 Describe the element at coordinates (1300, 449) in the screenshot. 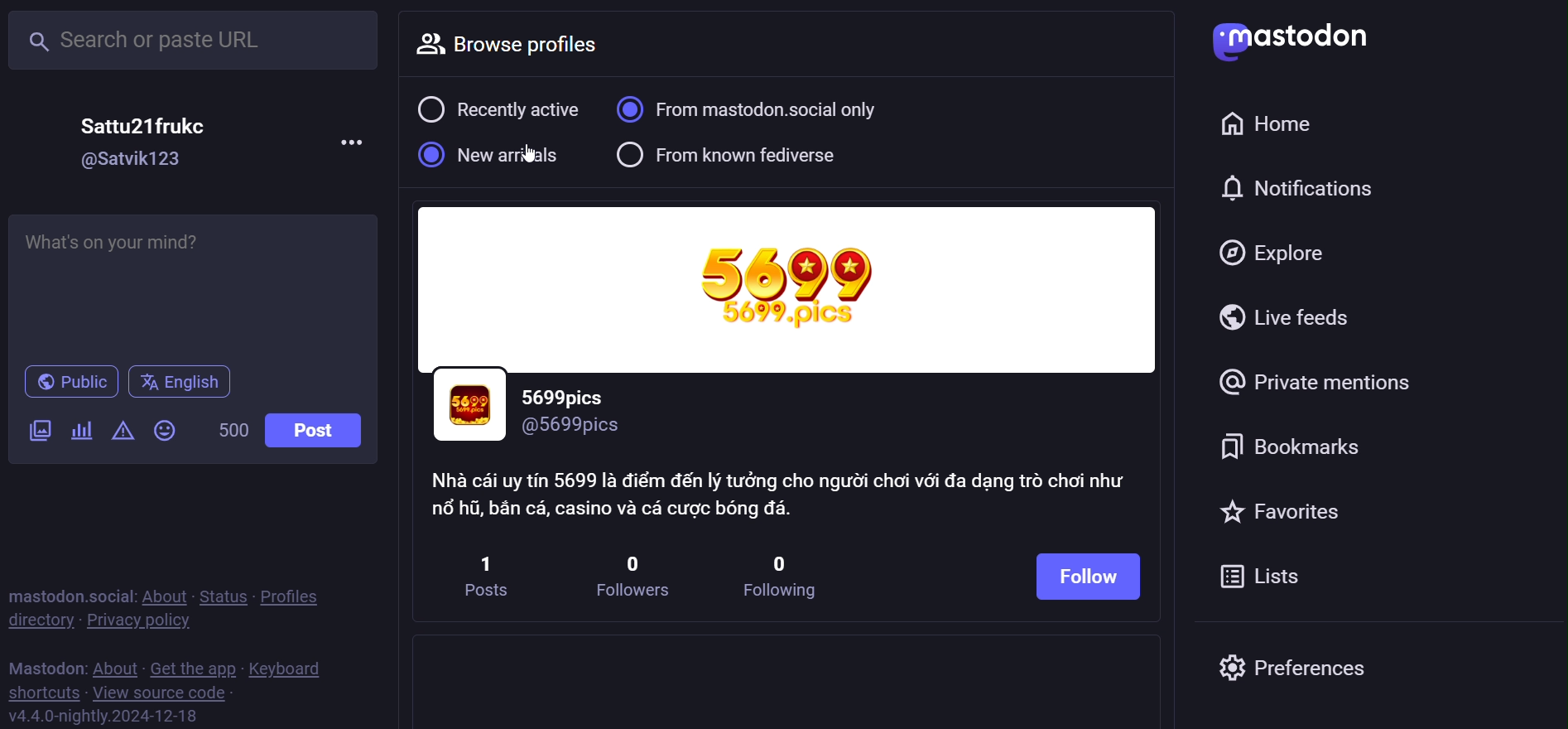

I see `bookmark` at that location.